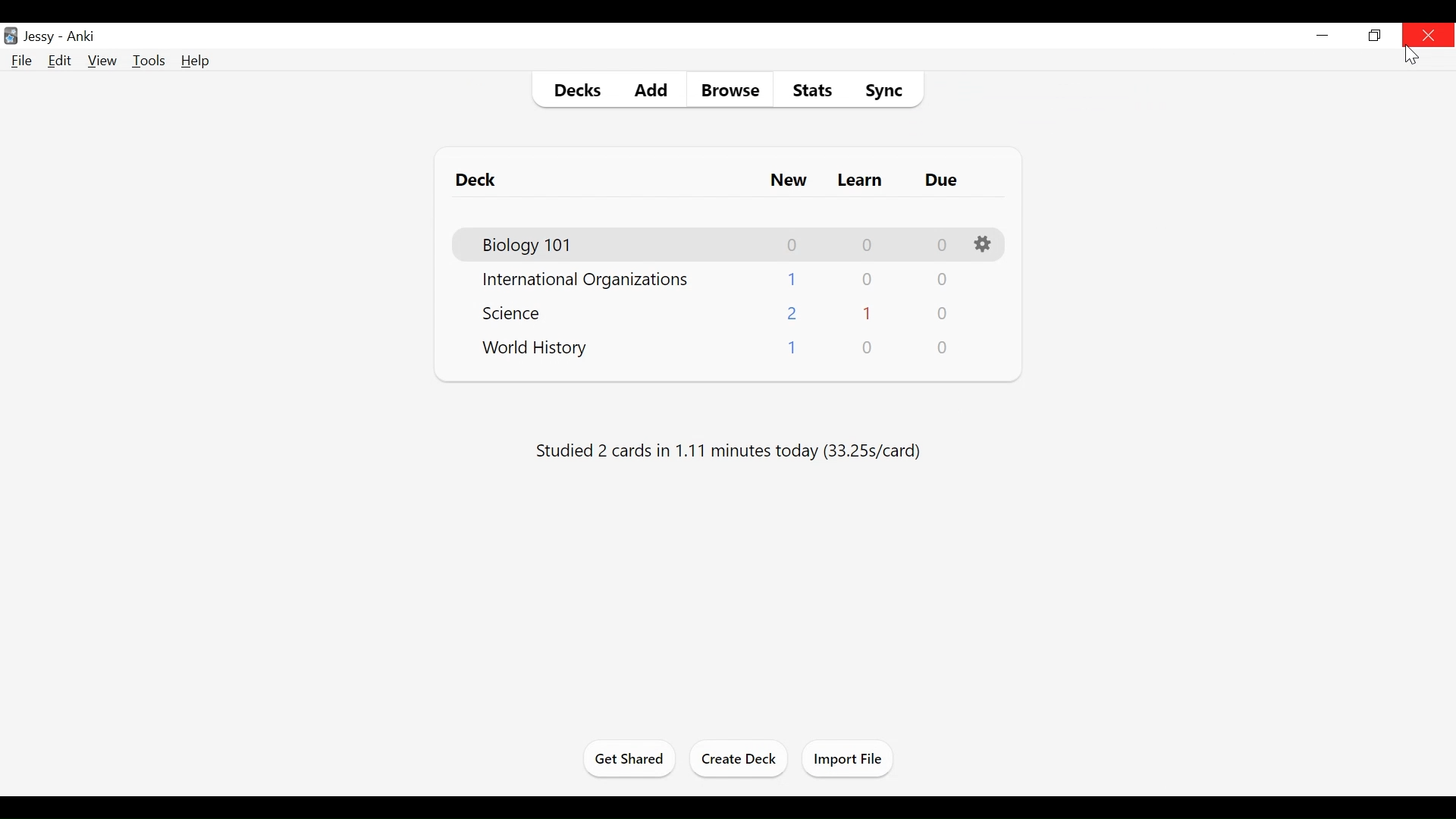 The width and height of the screenshot is (1456, 819). I want to click on Learn Cards, so click(859, 180).